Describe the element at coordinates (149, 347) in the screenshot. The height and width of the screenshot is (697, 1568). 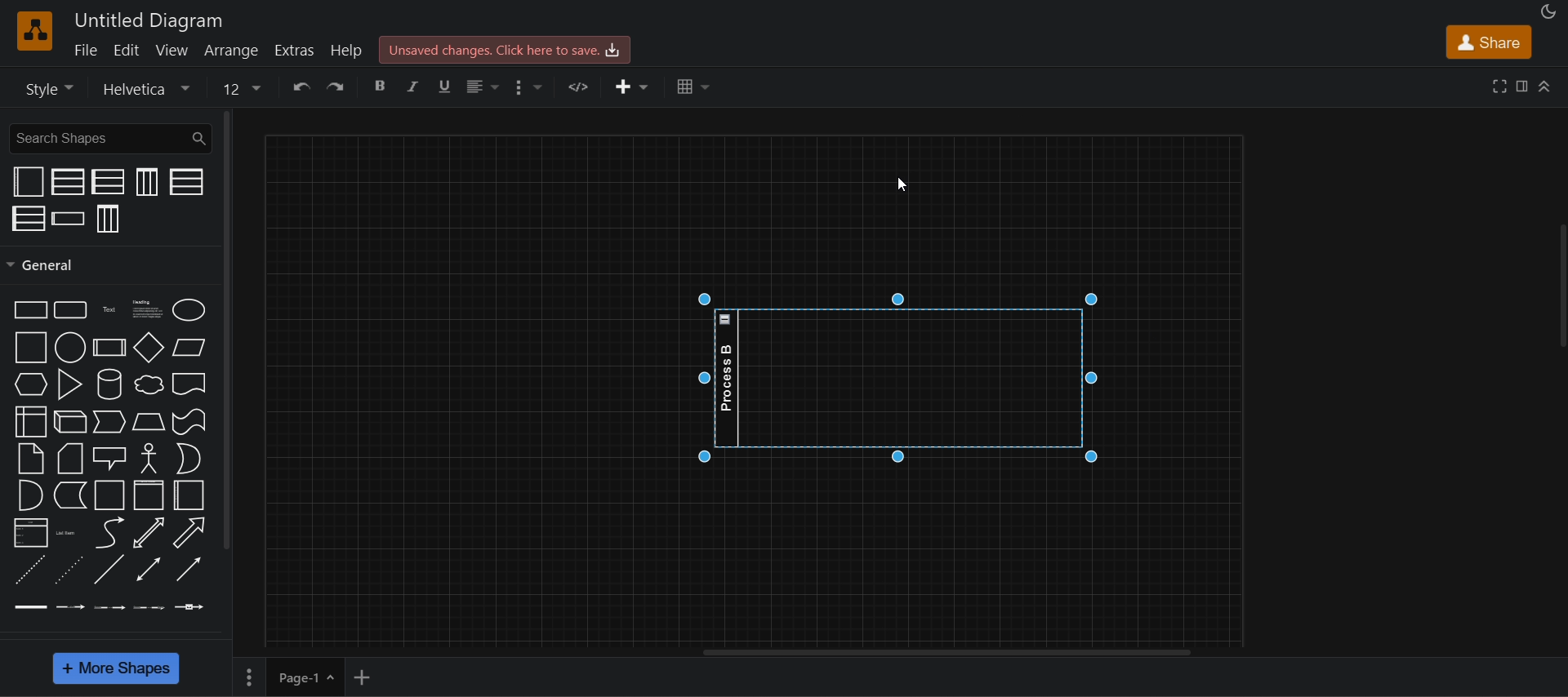
I see `diamond` at that location.